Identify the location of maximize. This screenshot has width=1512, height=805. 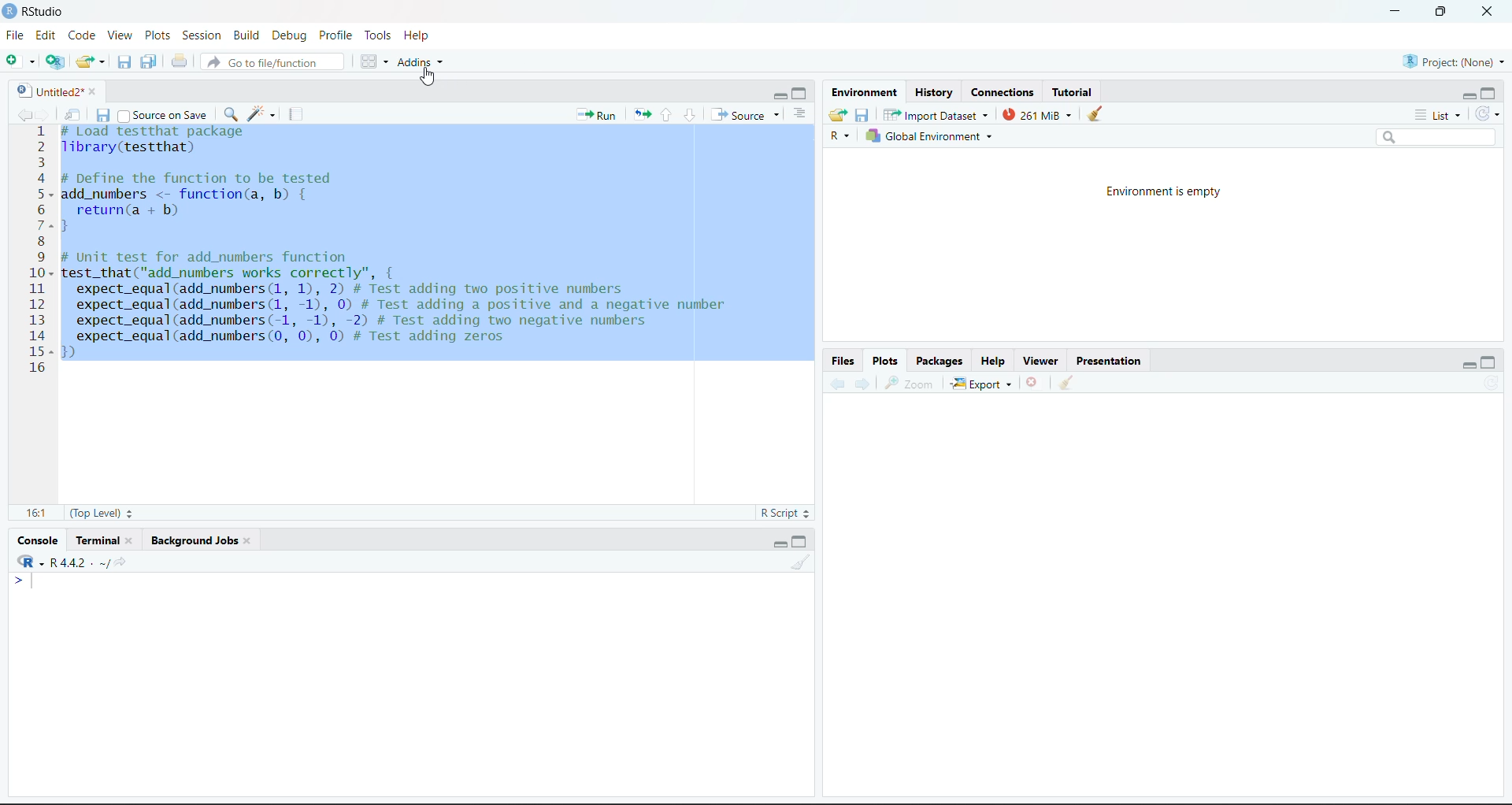
(801, 540).